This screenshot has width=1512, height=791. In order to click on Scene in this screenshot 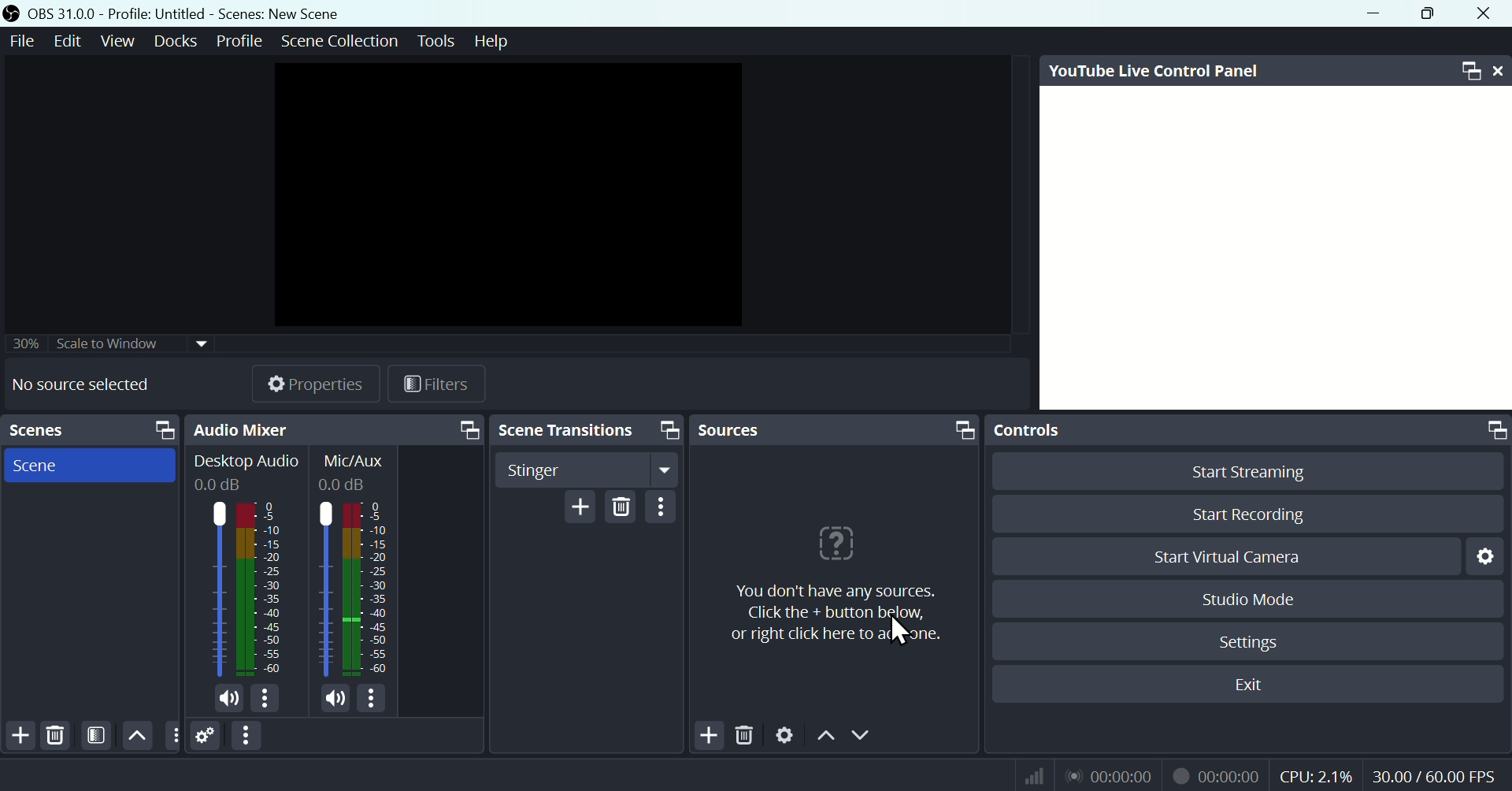, I will do `click(89, 465)`.